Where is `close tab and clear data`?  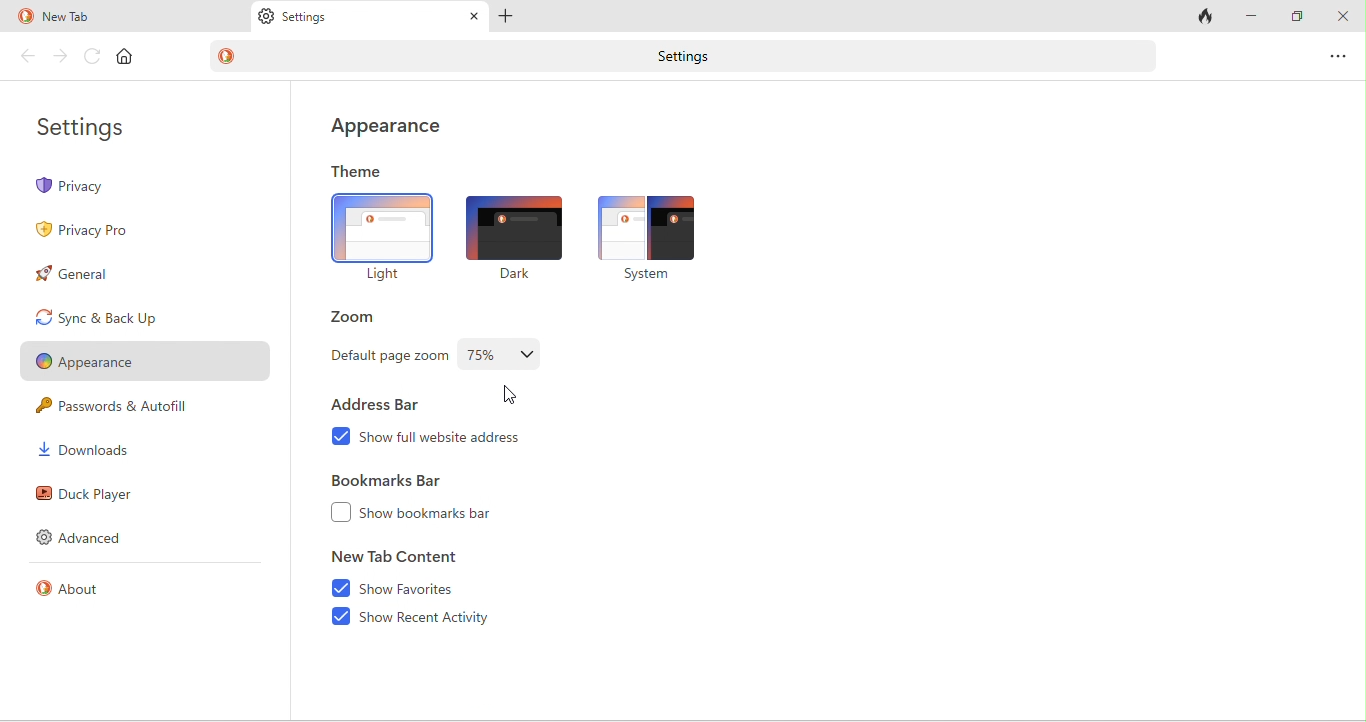
close tab and clear data is located at coordinates (1206, 16).